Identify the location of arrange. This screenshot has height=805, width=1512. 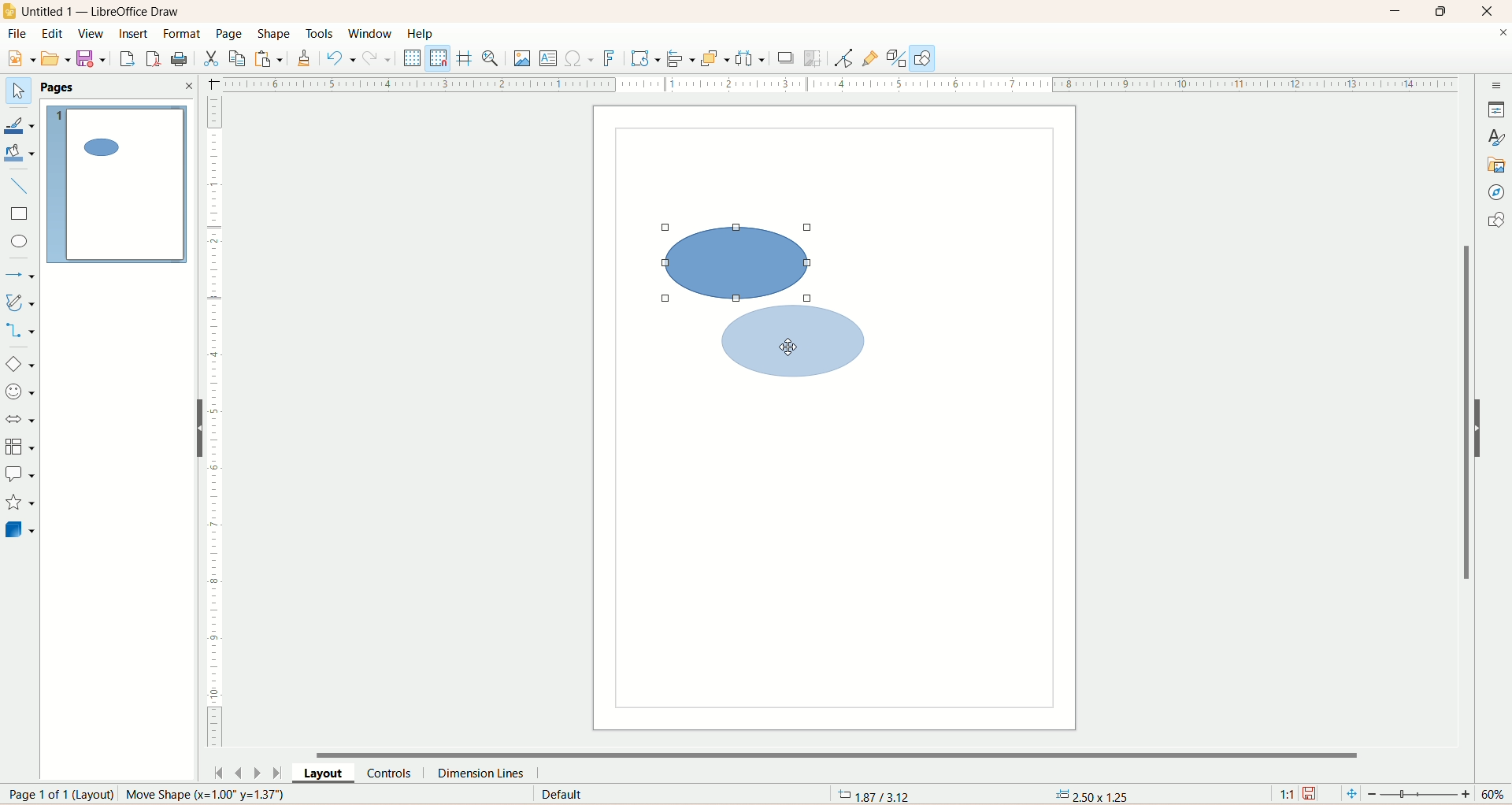
(715, 60).